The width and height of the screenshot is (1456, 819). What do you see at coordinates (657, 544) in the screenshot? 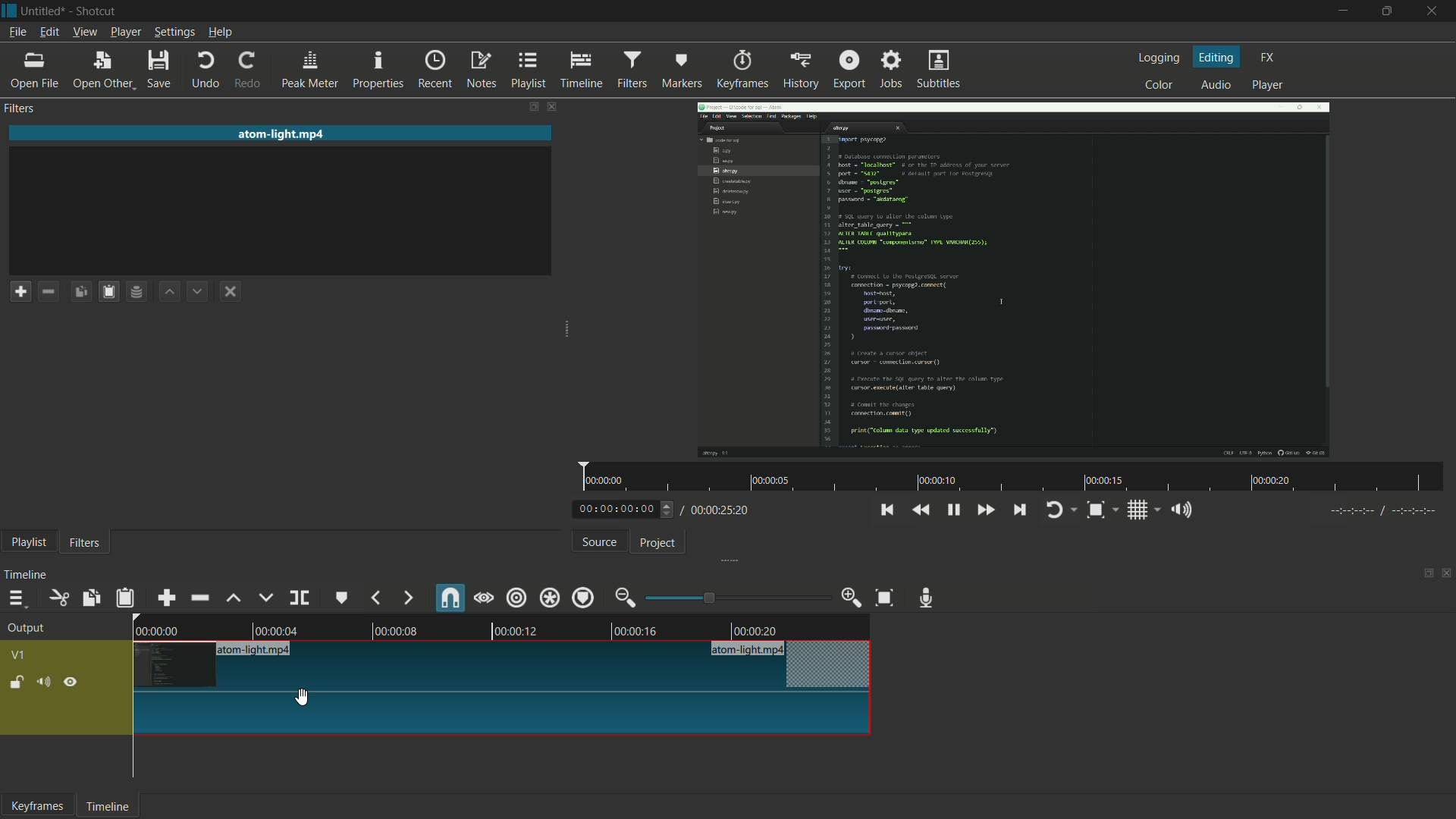
I see `project tab` at bounding box center [657, 544].